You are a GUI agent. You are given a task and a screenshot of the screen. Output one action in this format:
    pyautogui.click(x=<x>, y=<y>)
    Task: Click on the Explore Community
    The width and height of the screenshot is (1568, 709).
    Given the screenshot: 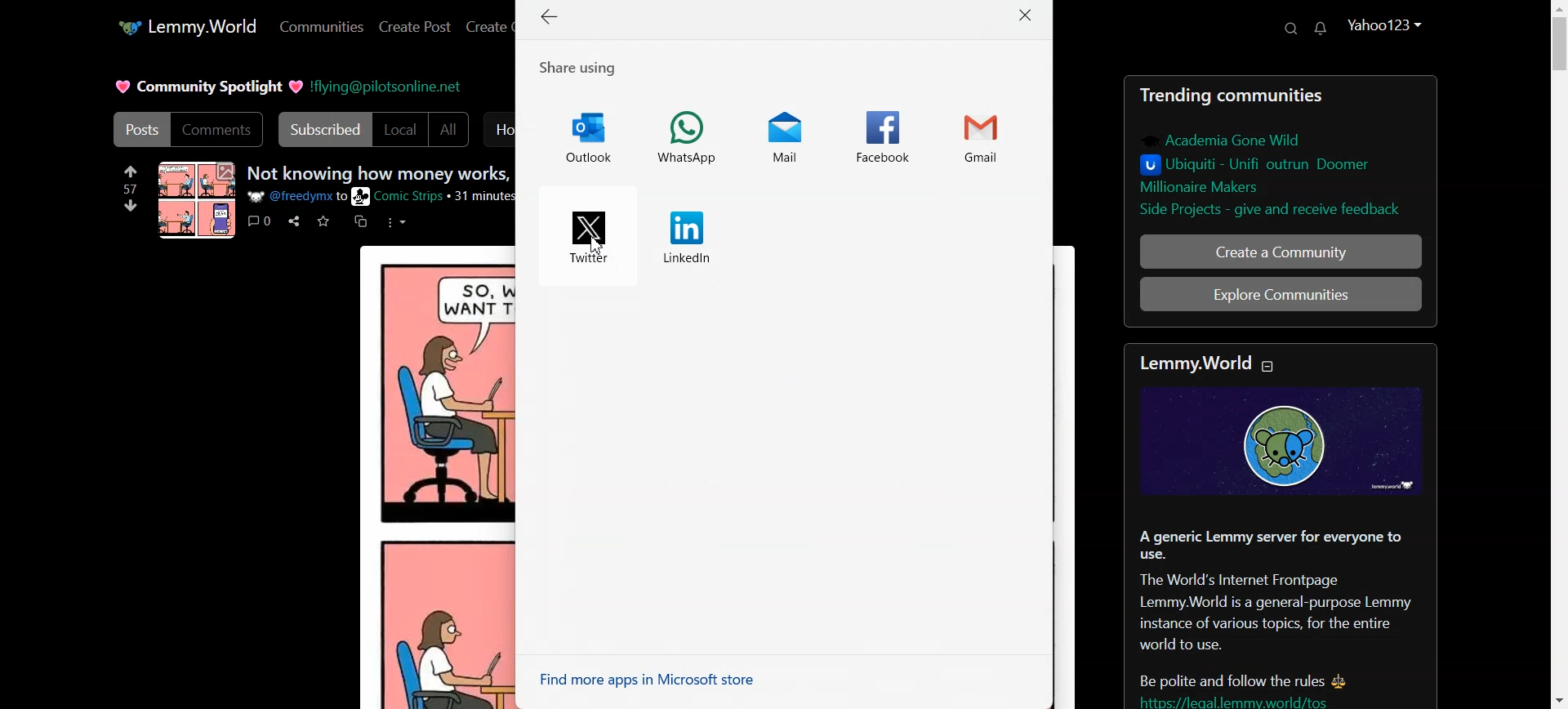 What is the action you would take?
    pyautogui.click(x=1280, y=294)
    